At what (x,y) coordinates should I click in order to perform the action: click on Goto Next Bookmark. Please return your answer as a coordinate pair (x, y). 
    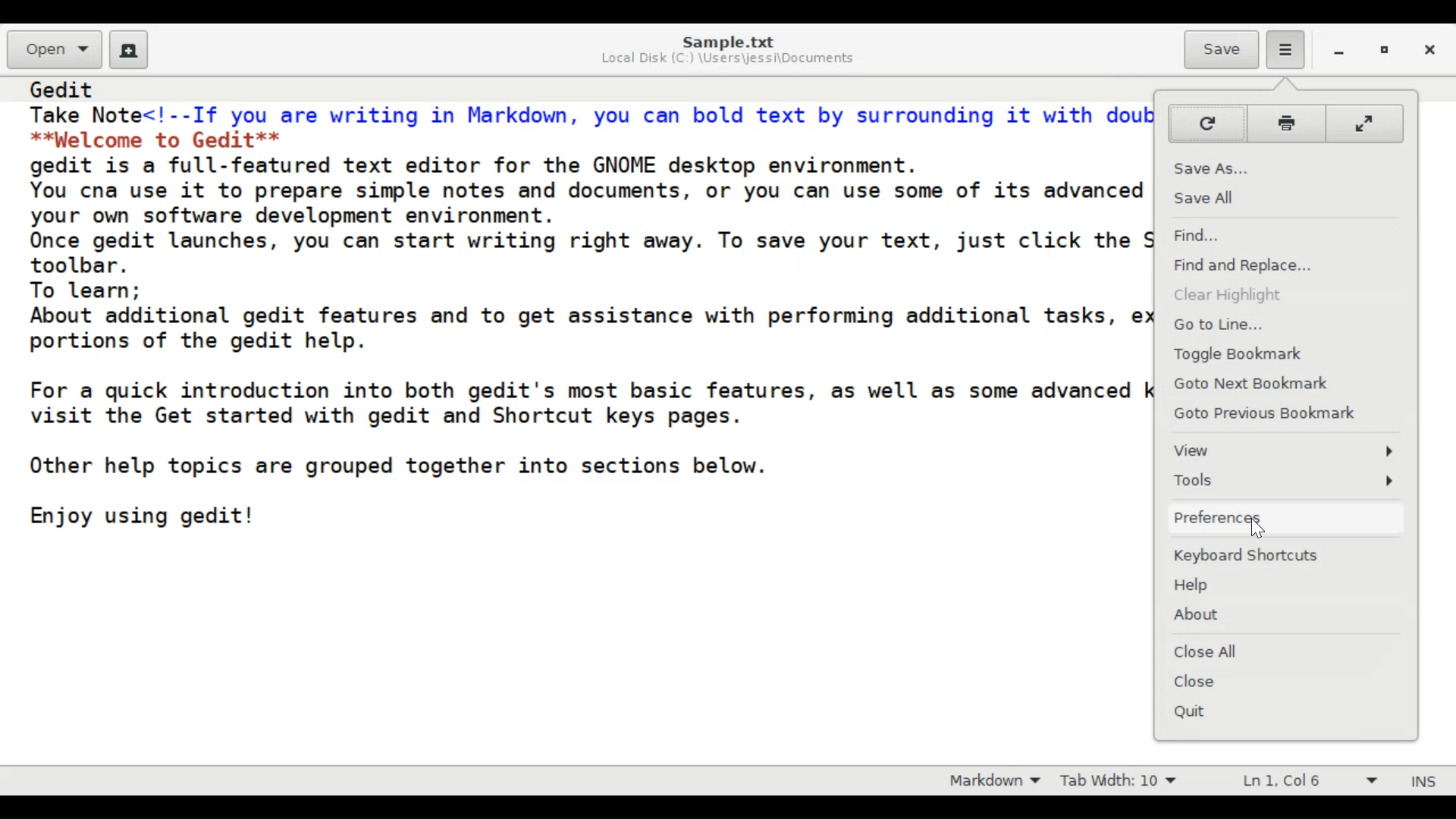
    Looking at the image, I should click on (1250, 384).